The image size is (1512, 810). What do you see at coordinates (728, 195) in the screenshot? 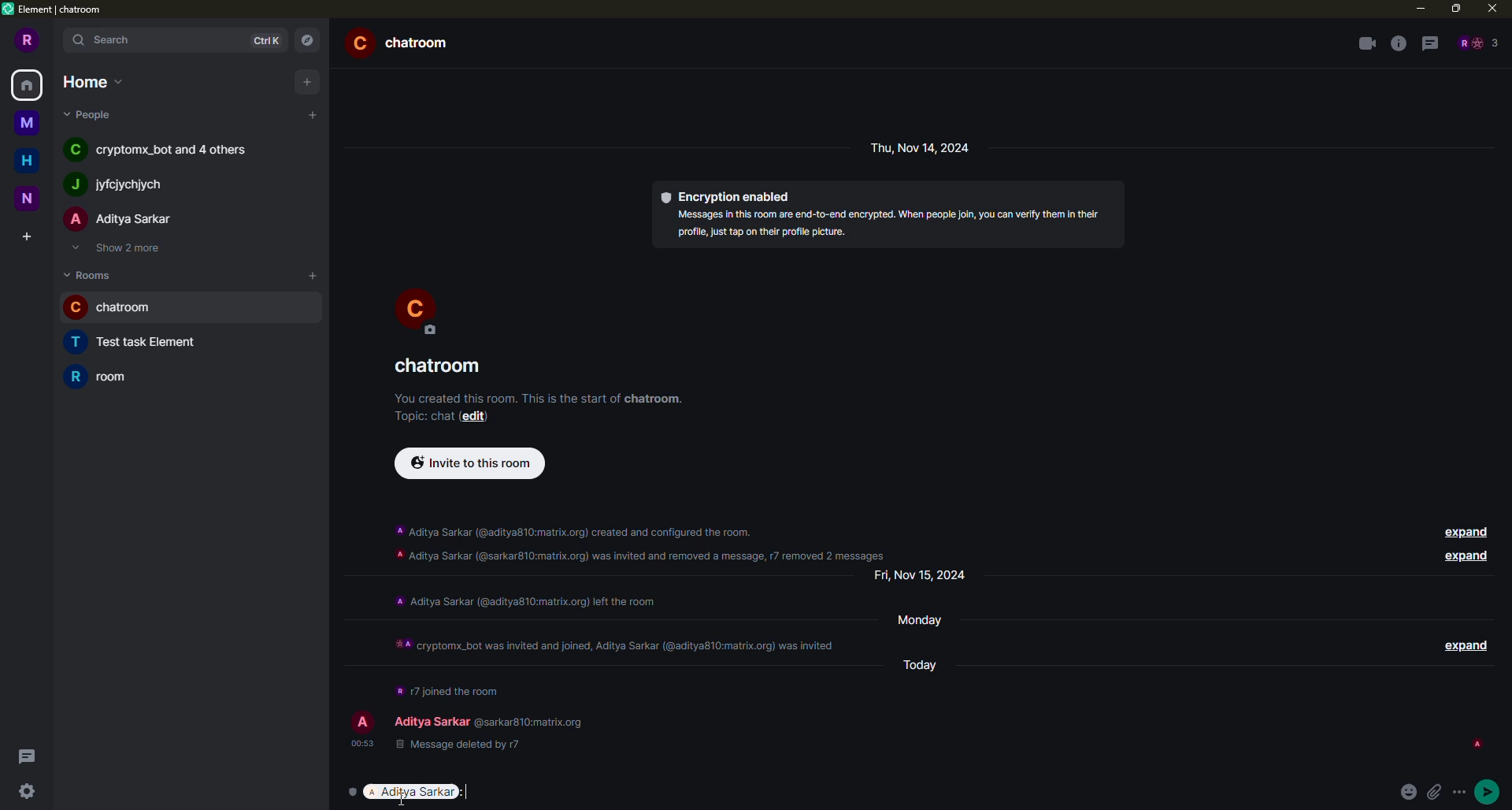
I see `encryption enabled` at bounding box center [728, 195].